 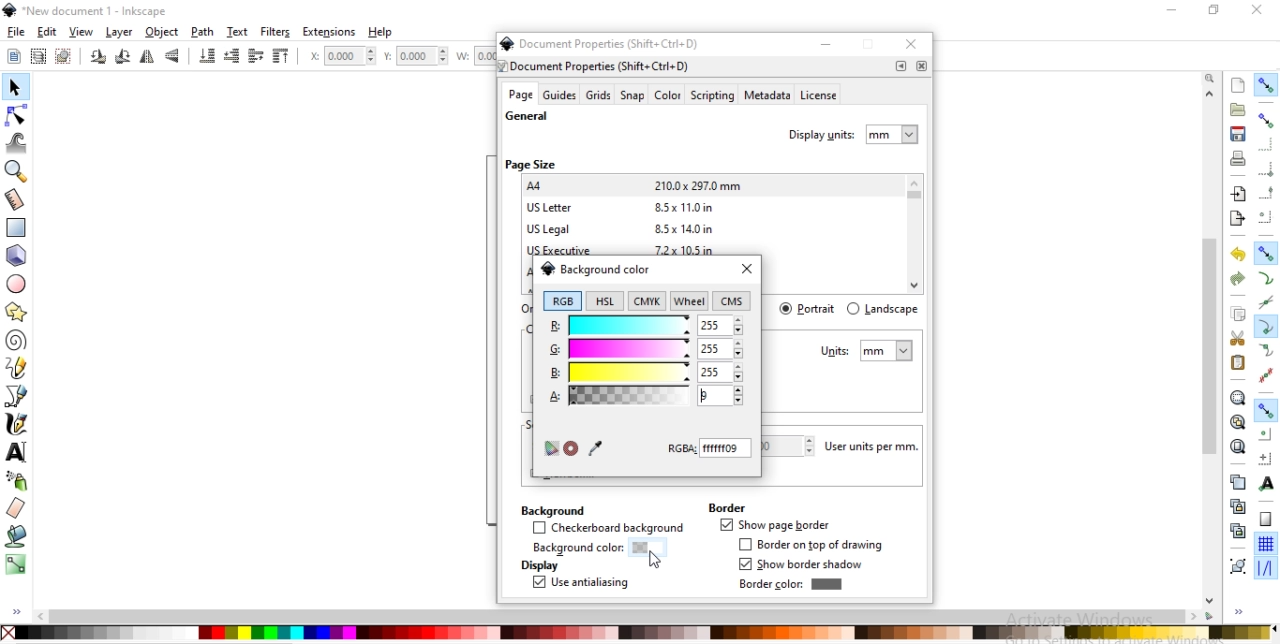 I want to click on border, so click(x=726, y=507).